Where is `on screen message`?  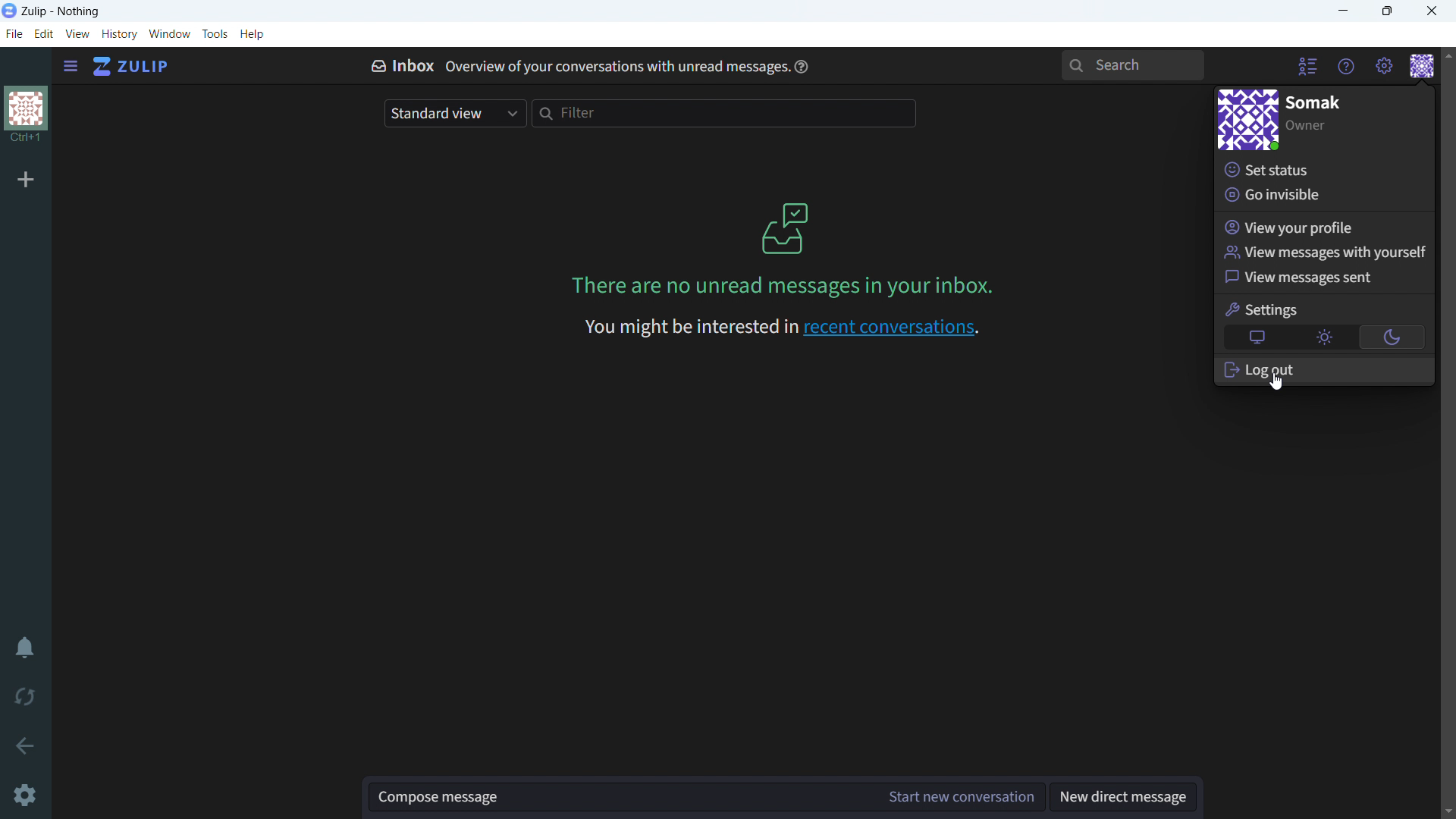
on screen message is located at coordinates (778, 249).